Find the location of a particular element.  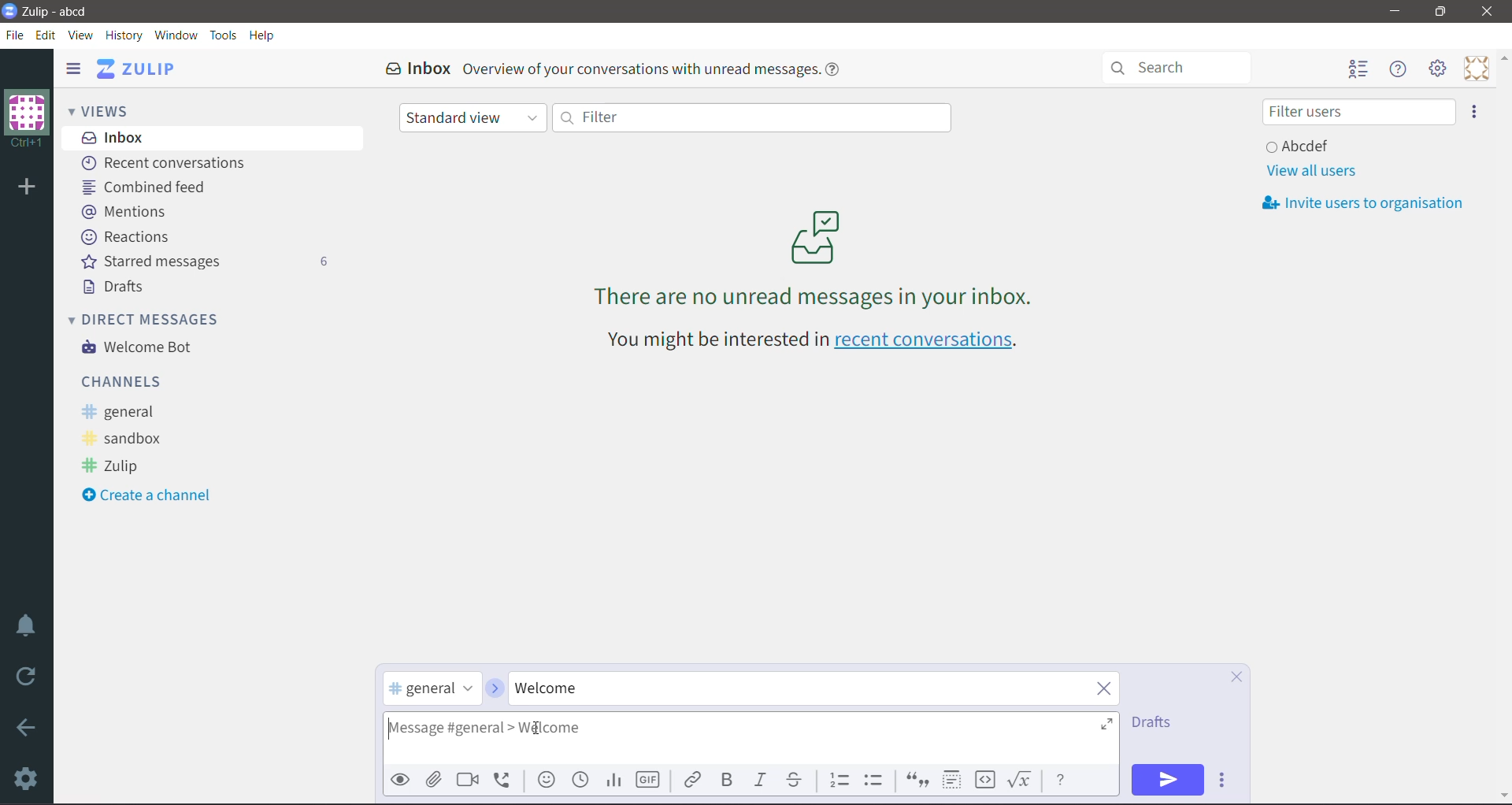

Strikethrough is located at coordinates (795, 780).